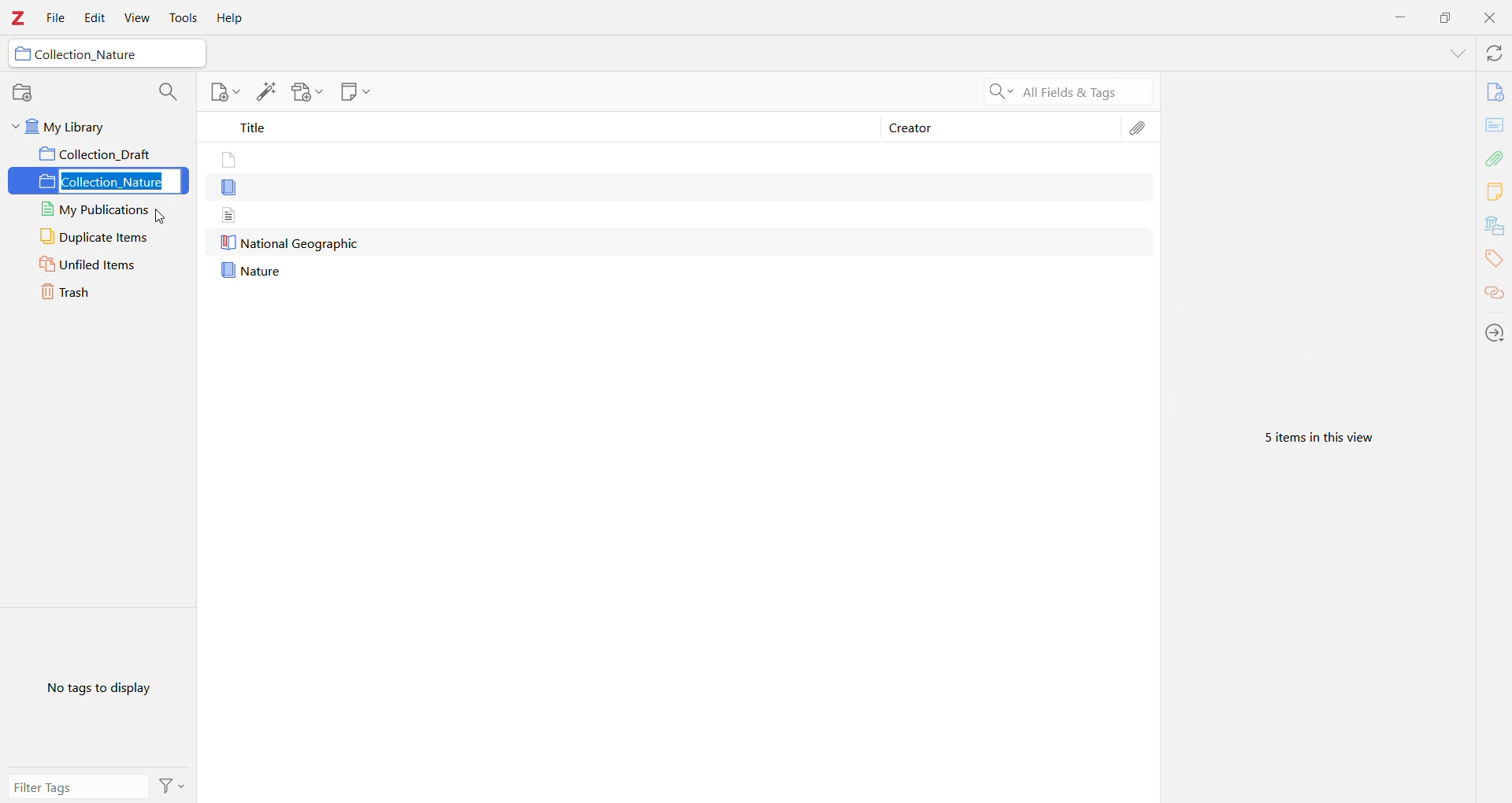 The width and height of the screenshot is (1512, 803). Describe the element at coordinates (167, 90) in the screenshot. I see `Filter Collections` at that location.